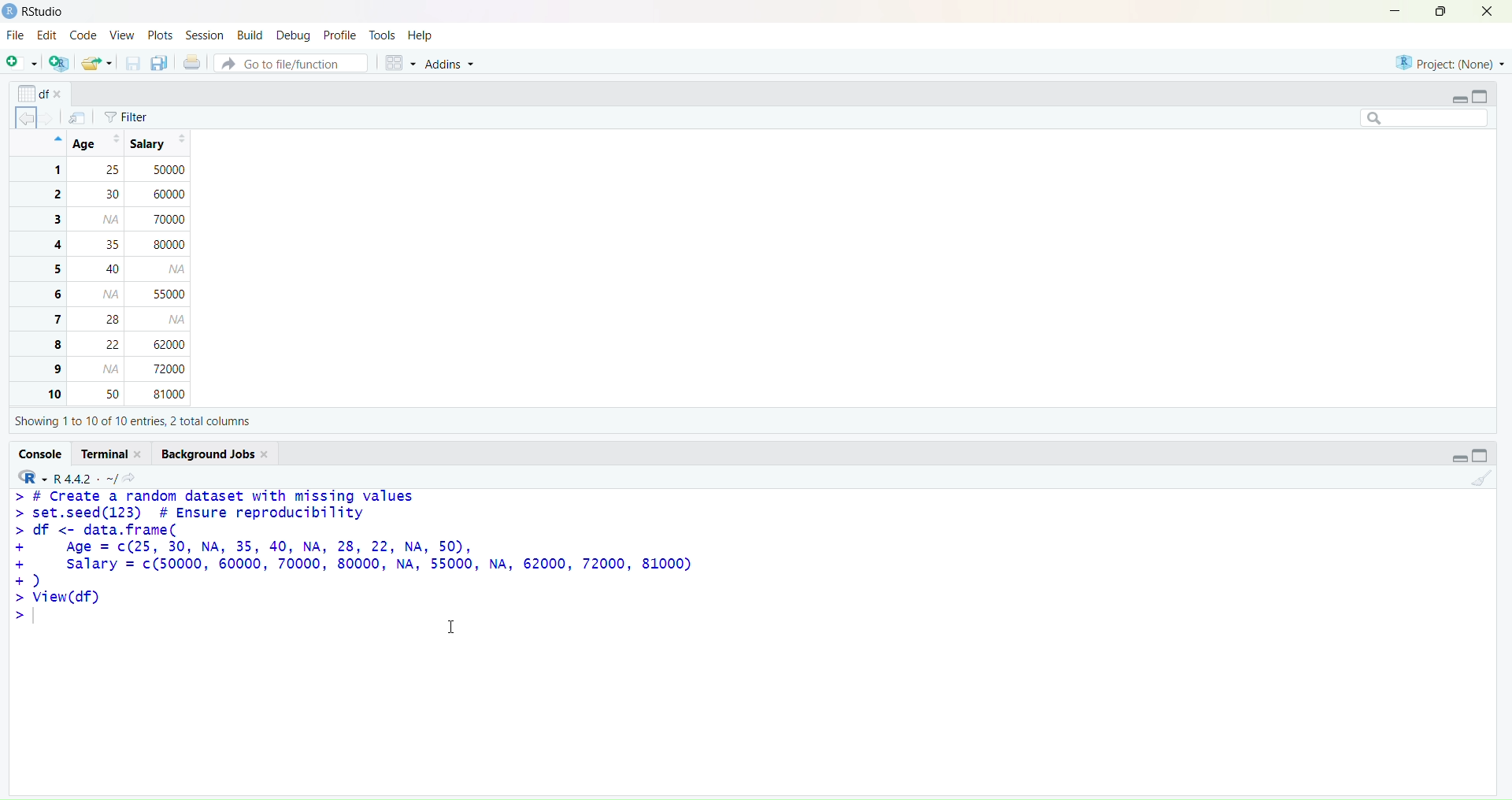 This screenshot has width=1512, height=800. Describe the element at coordinates (58, 64) in the screenshot. I see `create a new project` at that location.